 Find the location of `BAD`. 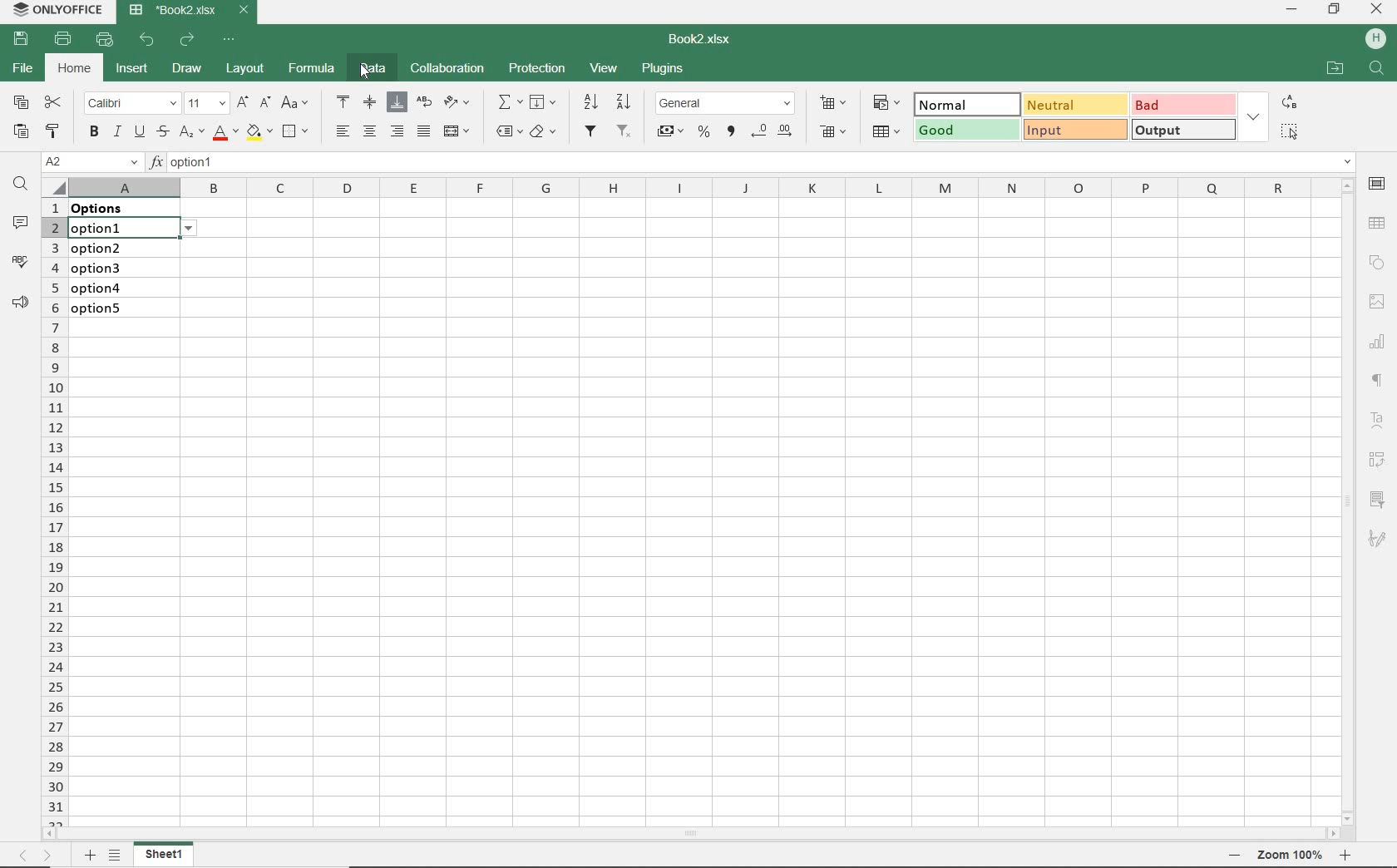

BAD is located at coordinates (1185, 104).